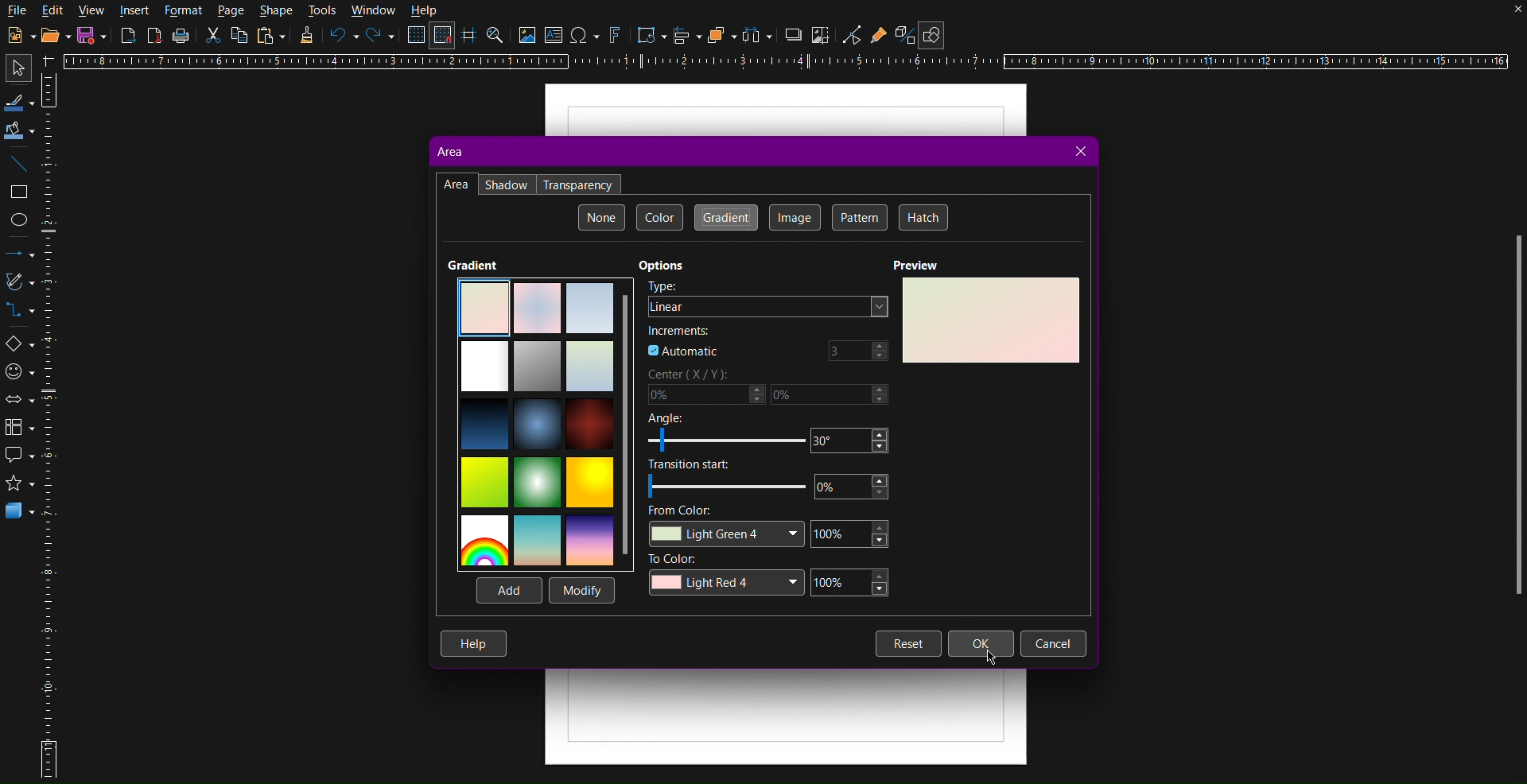  I want to click on Lines and Arrows, so click(19, 254).